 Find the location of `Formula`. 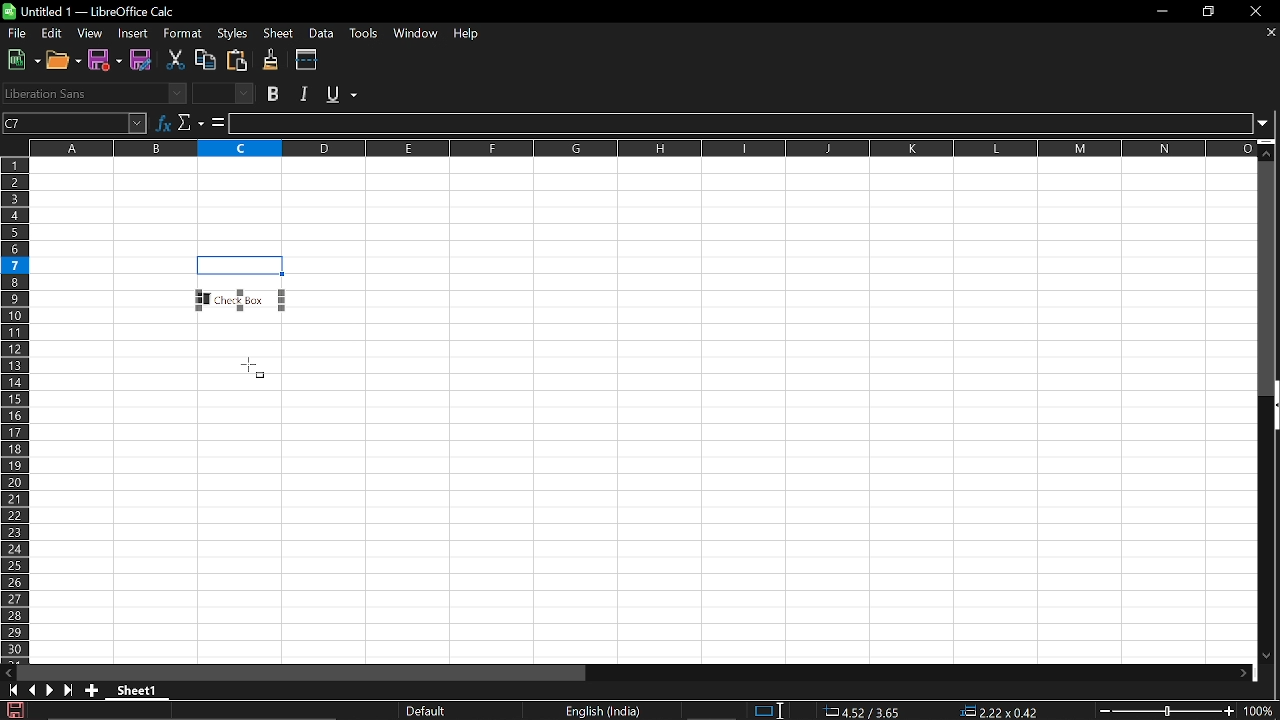

Formula is located at coordinates (218, 122).